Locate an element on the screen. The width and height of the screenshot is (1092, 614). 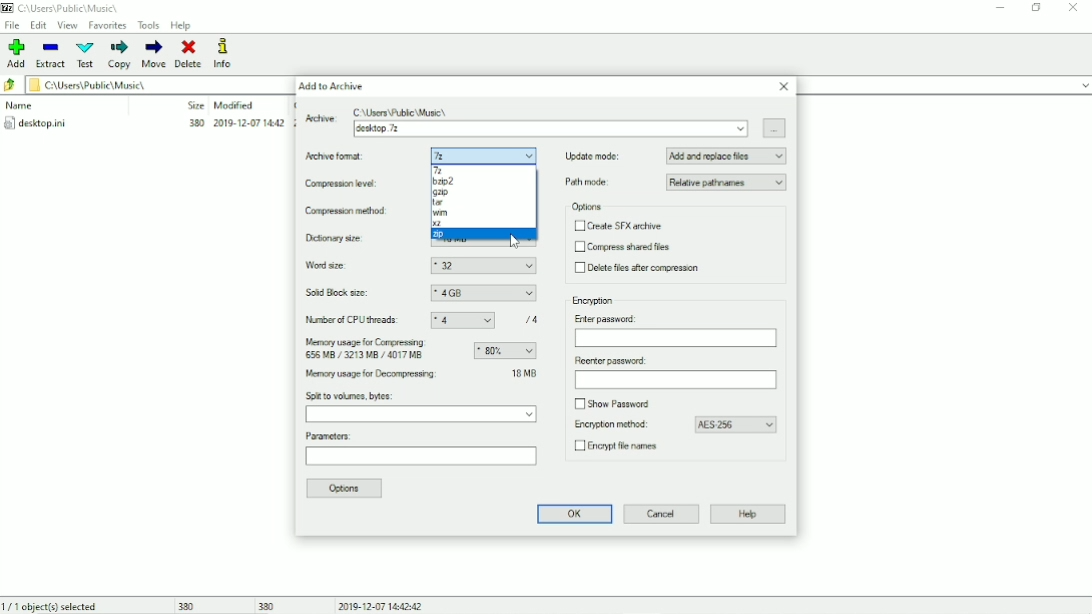
Favorites is located at coordinates (107, 26).